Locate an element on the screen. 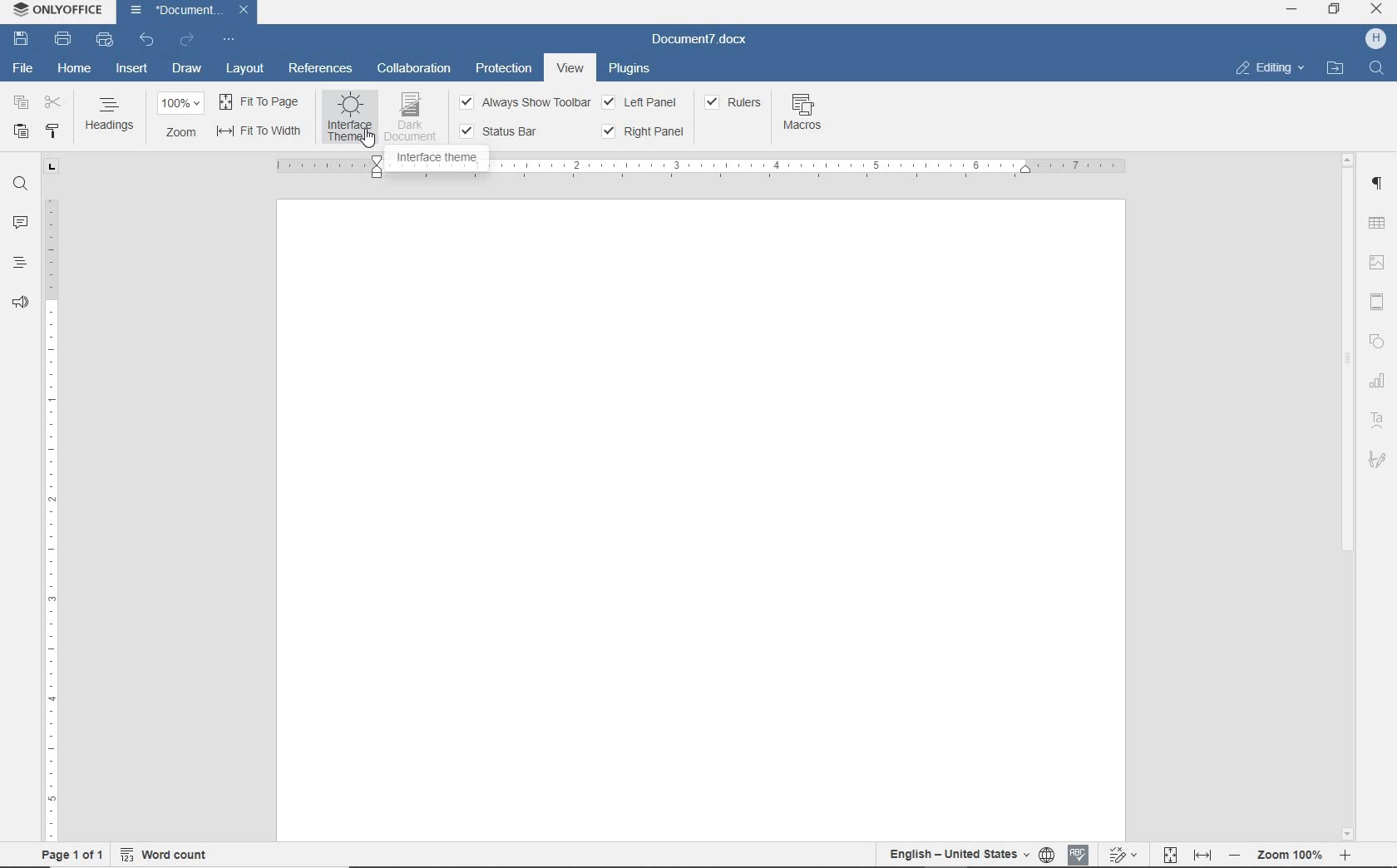 The height and width of the screenshot is (868, 1397). FIND is located at coordinates (1376, 69).